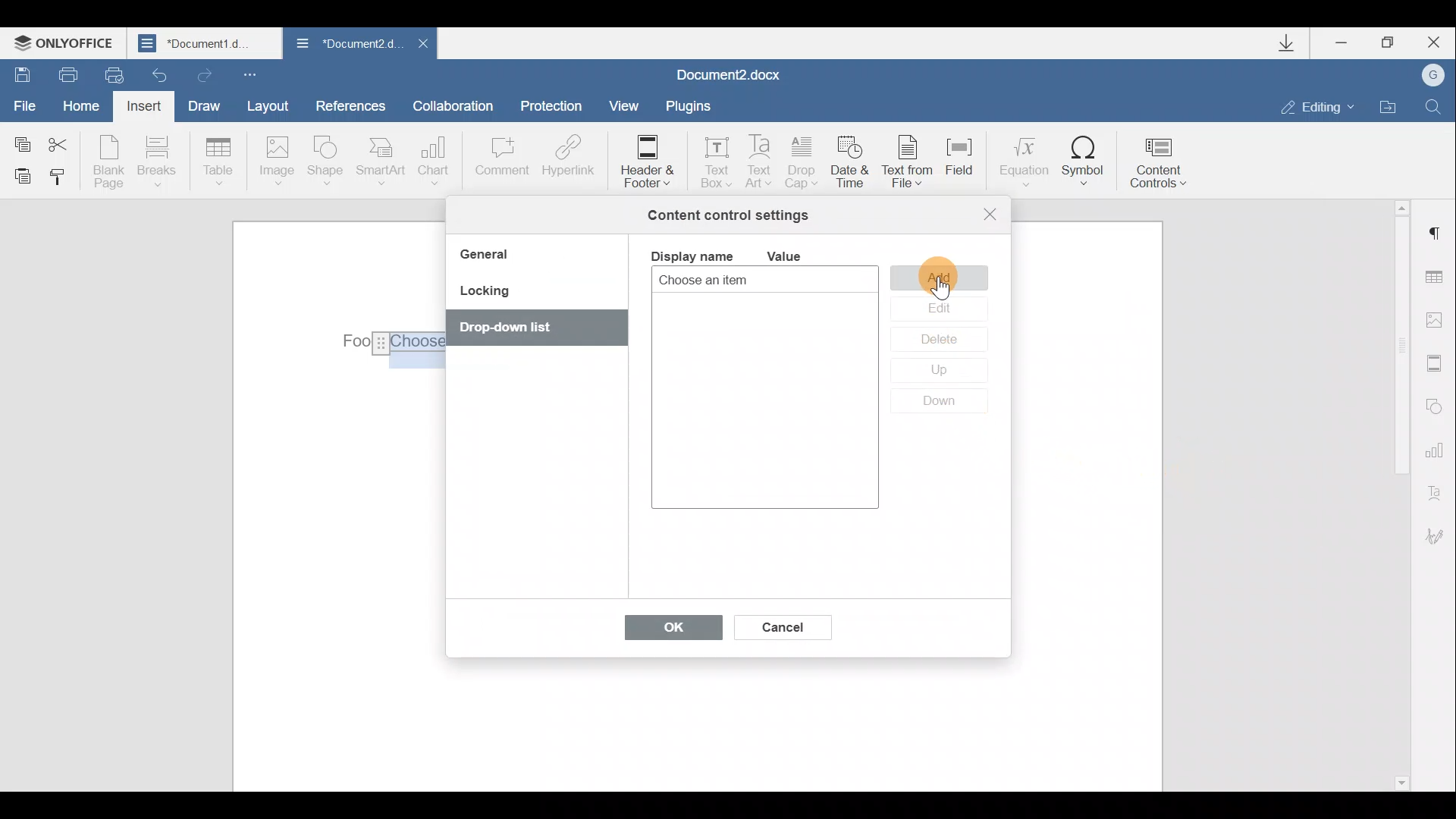 The height and width of the screenshot is (819, 1456). Describe the element at coordinates (422, 48) in the screenshot. I see `Close` at that location.